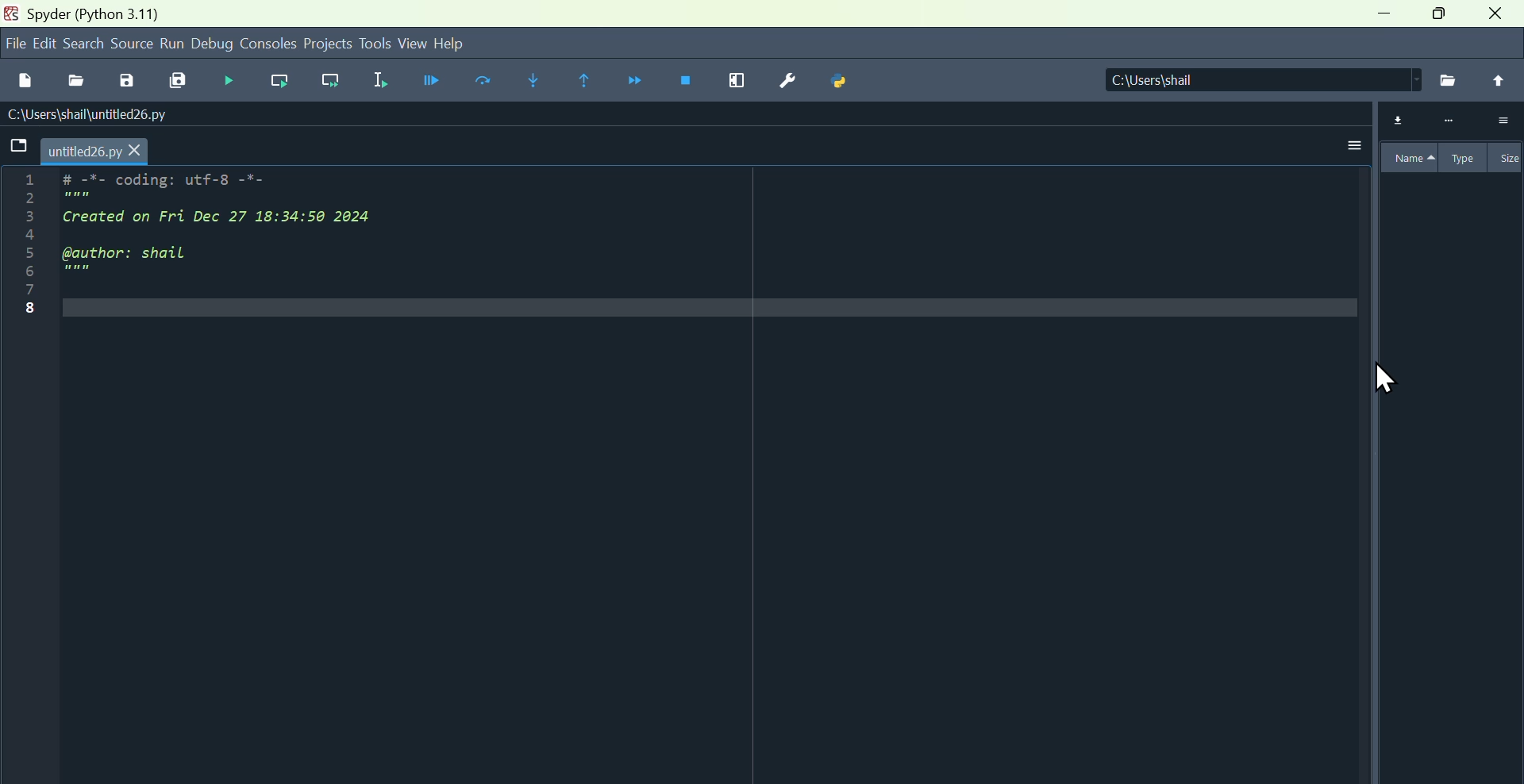  What do you see at coordinates (226, 80) in the screenshot?
I see `Debug` at bounding box center [226, 80].